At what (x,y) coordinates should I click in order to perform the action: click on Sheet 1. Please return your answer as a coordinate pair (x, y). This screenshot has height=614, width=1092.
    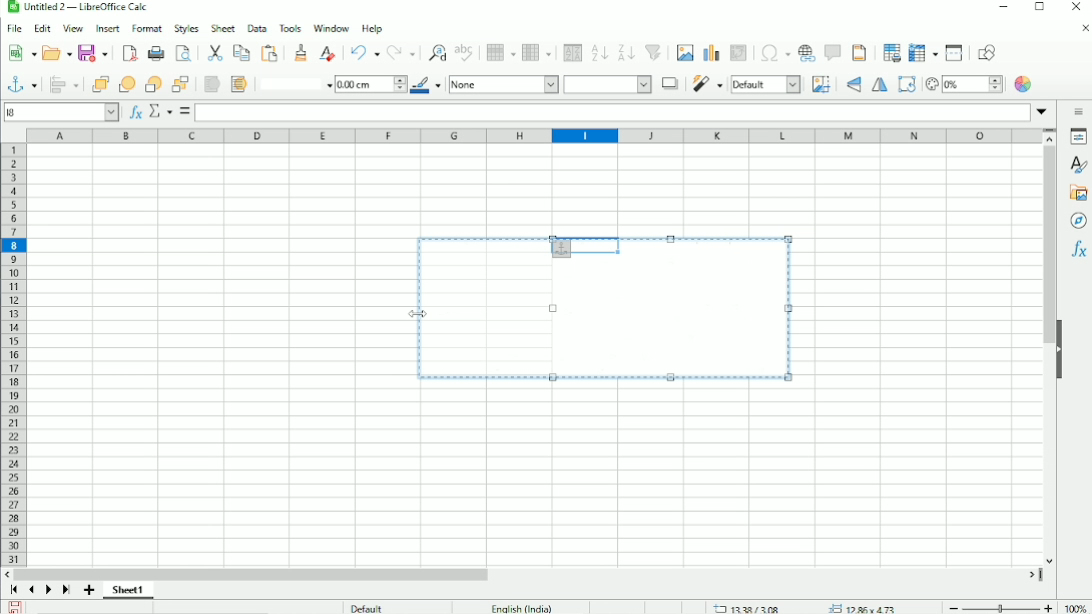
    Looking at the image, I should click on (128, 590).